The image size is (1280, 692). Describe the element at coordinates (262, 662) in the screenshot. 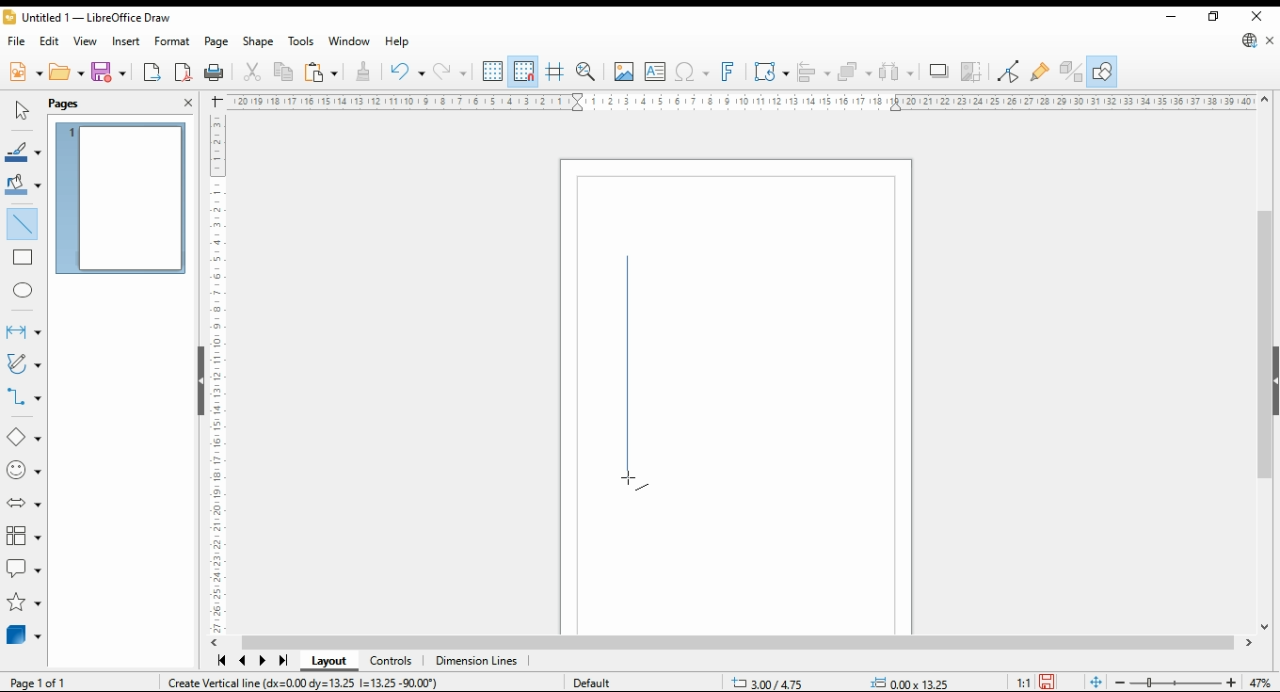

I see `next page` at that location.